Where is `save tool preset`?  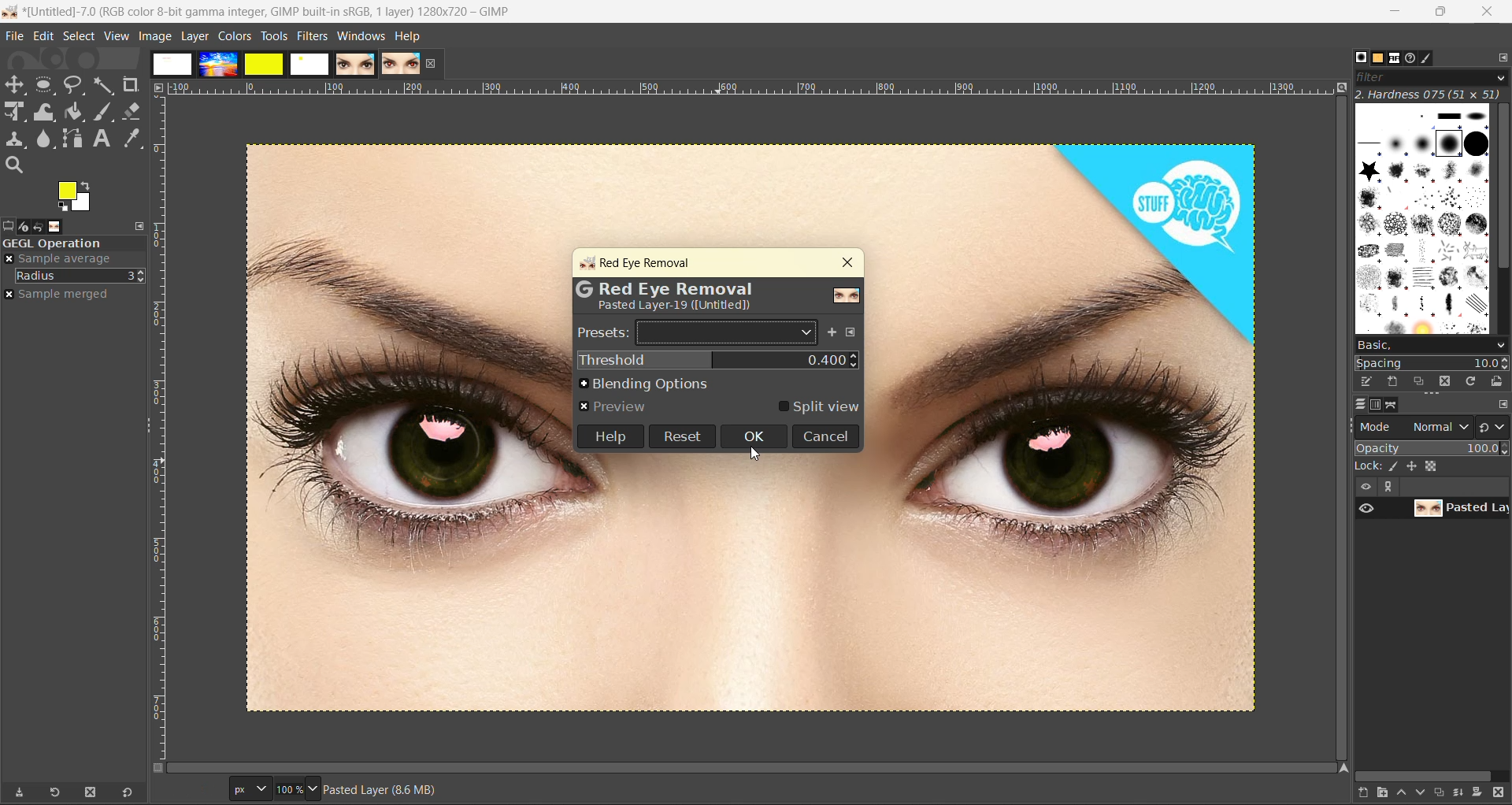
save tool preset is located at coordinates (19, 794).